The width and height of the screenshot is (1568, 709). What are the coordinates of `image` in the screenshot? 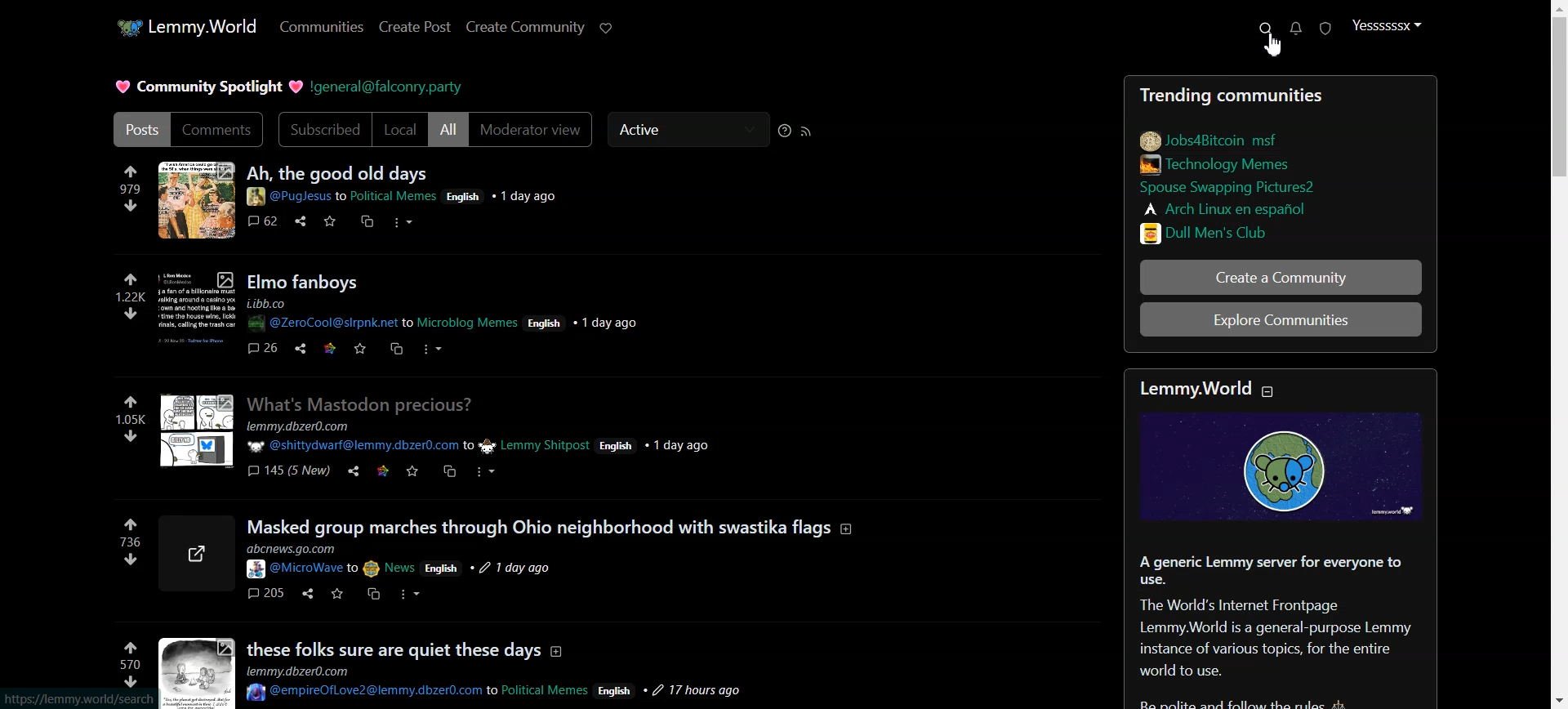 It's located at (198, 672).